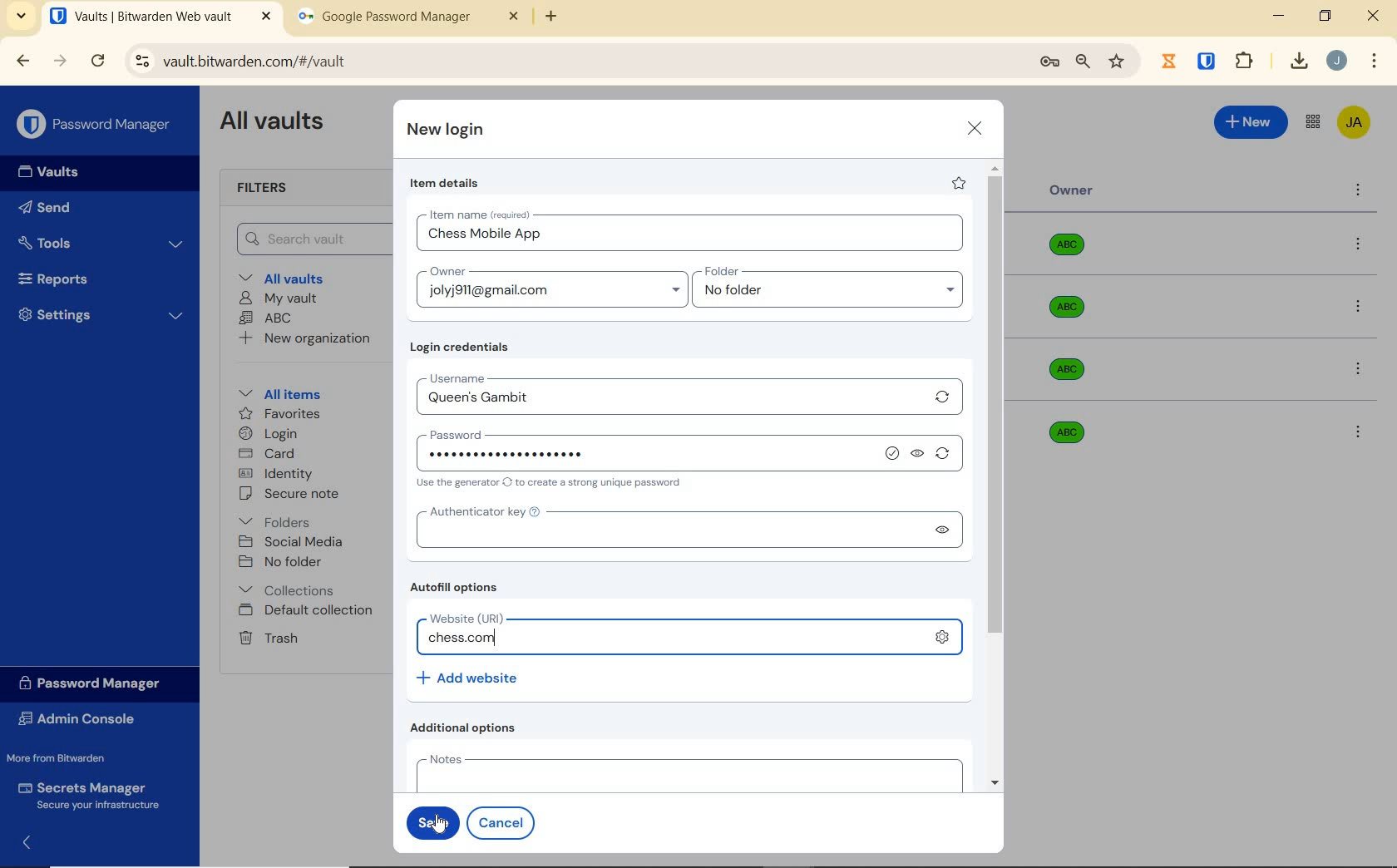 The height and width of the screenshot is (868, 1397). What do you see at coordinates (309, 611) in the screenshot?
I see `Default collection` at bounding box center [309, 611].